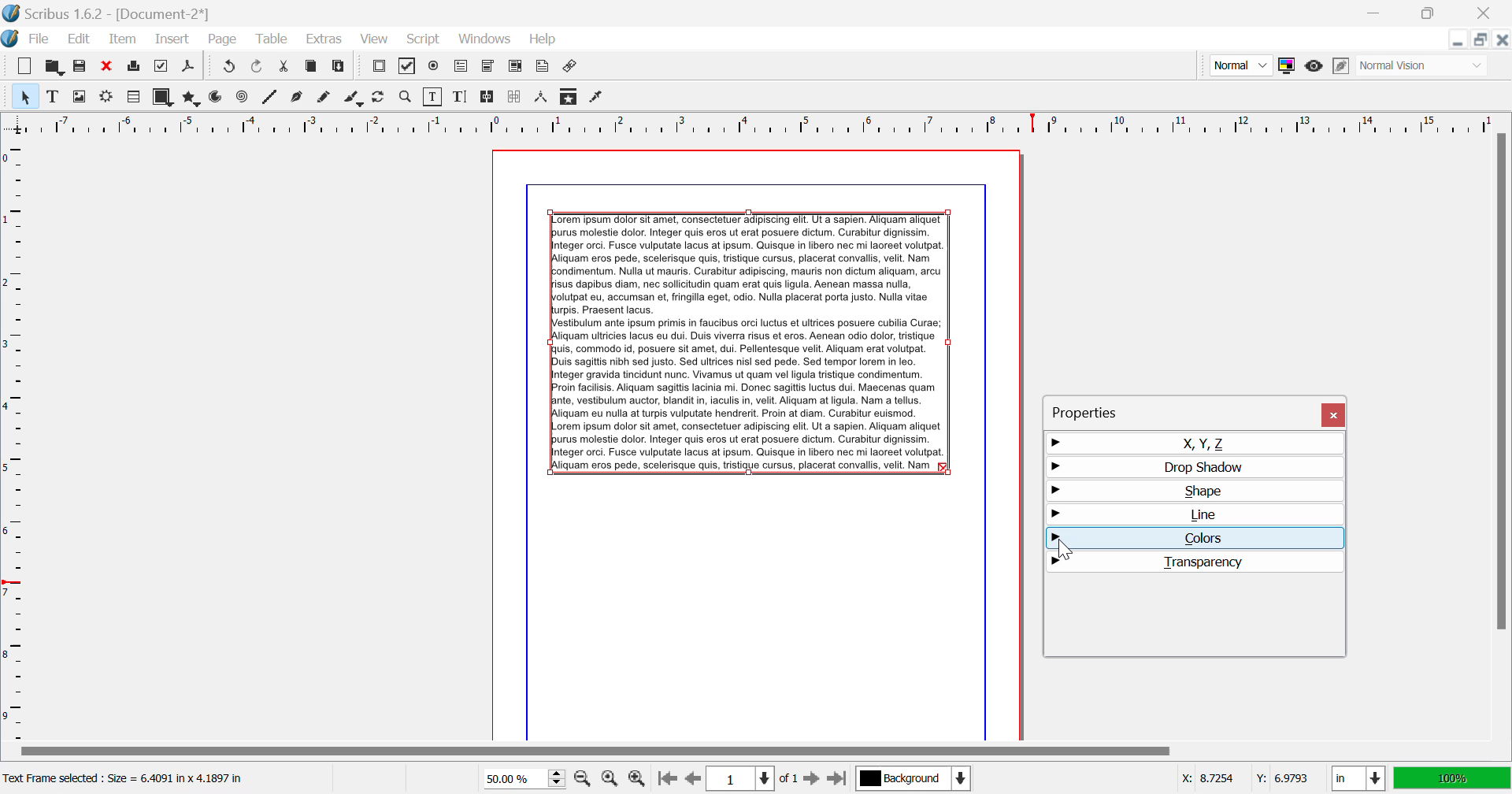  What do you see at coordinates (312, 69) in the screenshot?
I see `Copy` at bounding box center [312, 69].